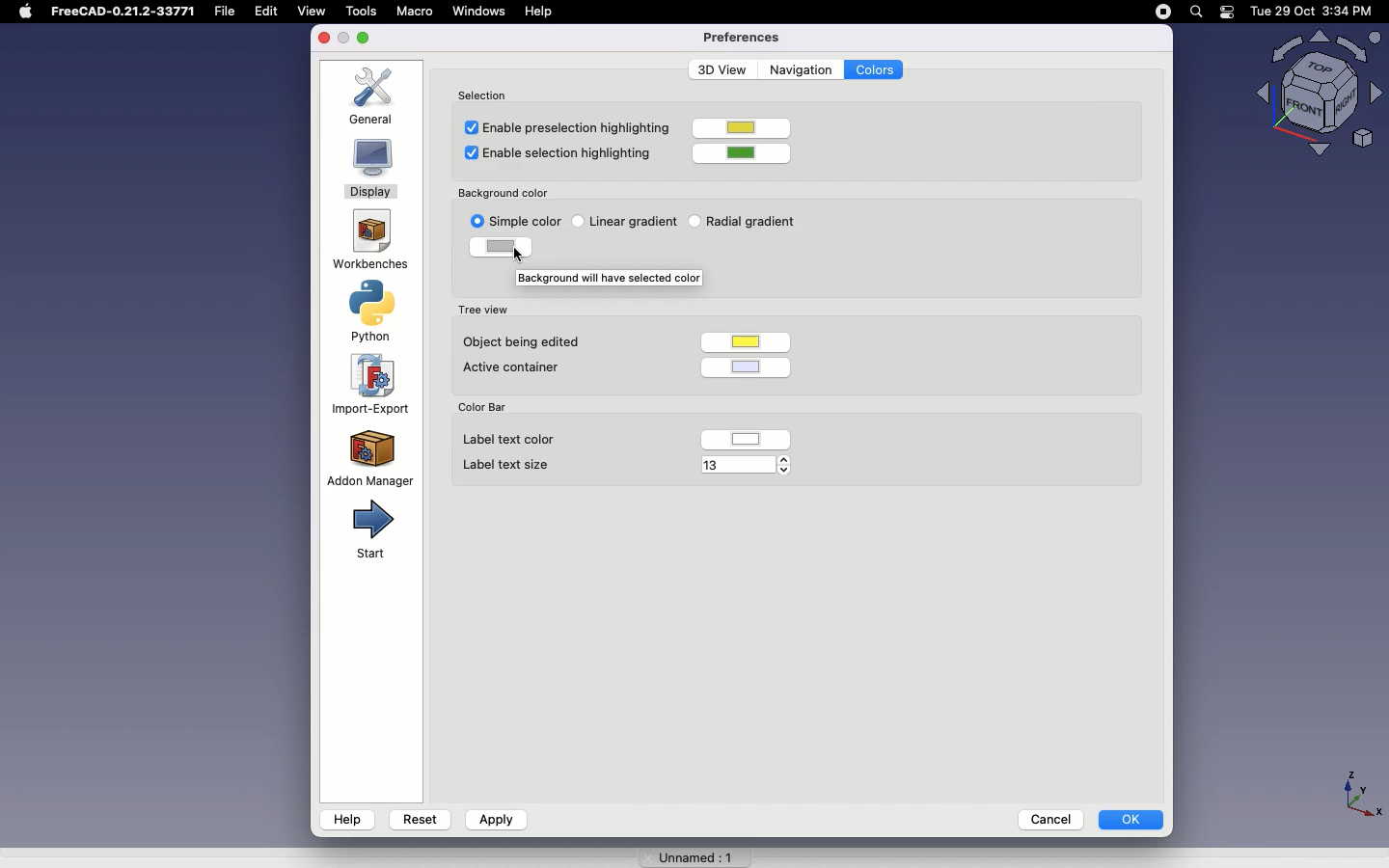  I want to click on Addon Manager, so click(370, 457).